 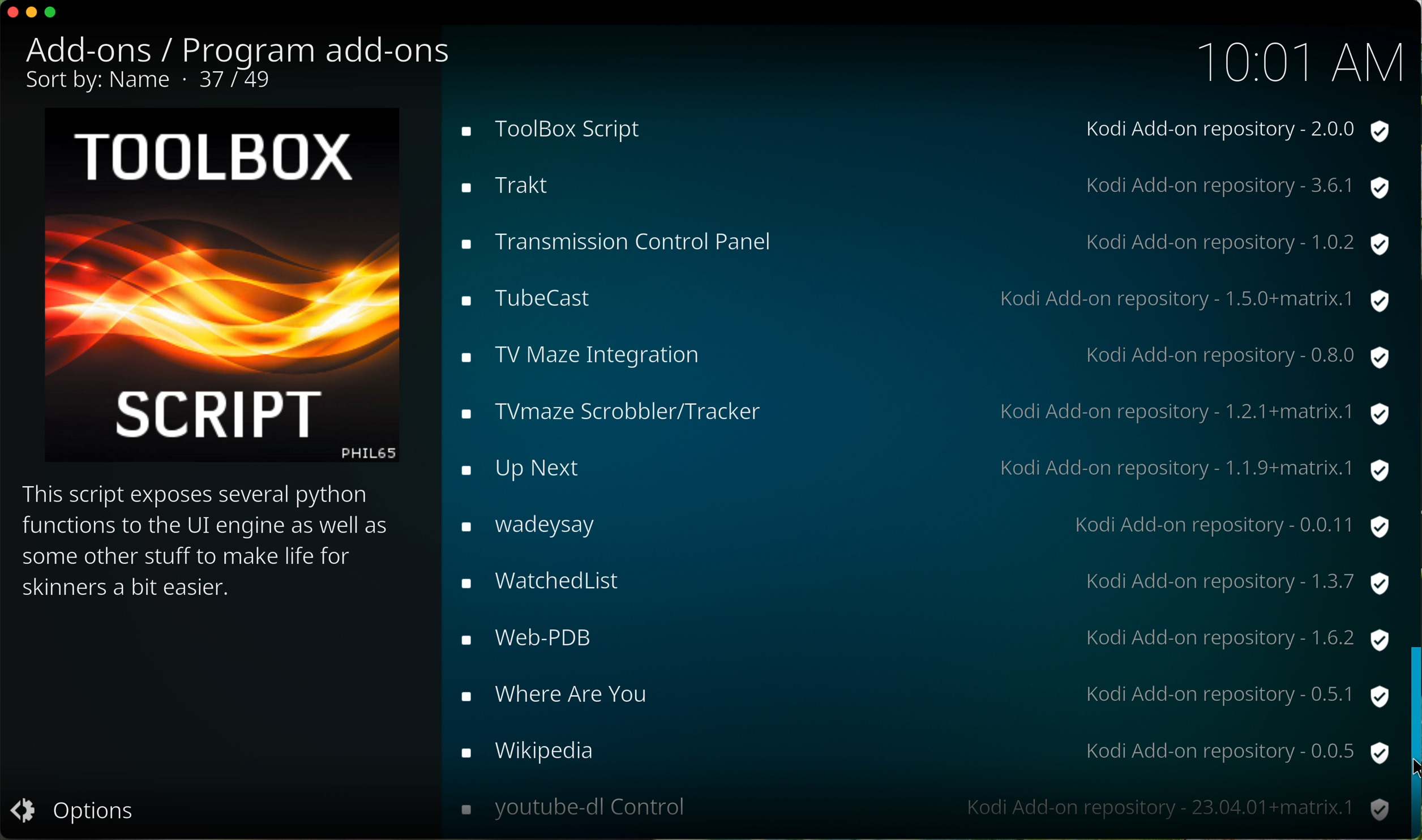 What do you see at coordinates (920, 240) in the screenshot?
I see `transmission control panel` at bounding box center [920, 240].